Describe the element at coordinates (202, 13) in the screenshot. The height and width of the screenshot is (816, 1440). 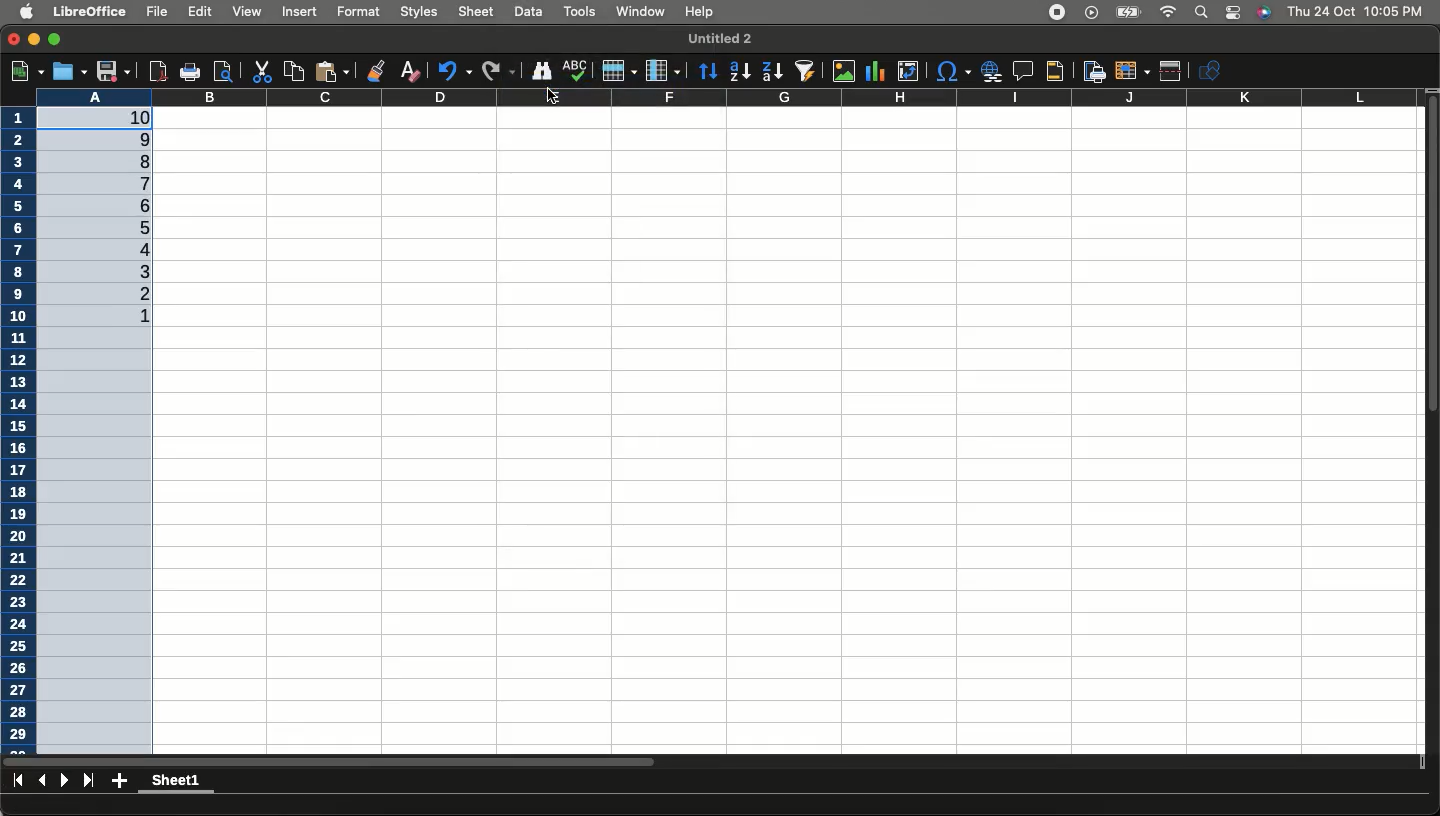
I see `Edit` at that location.